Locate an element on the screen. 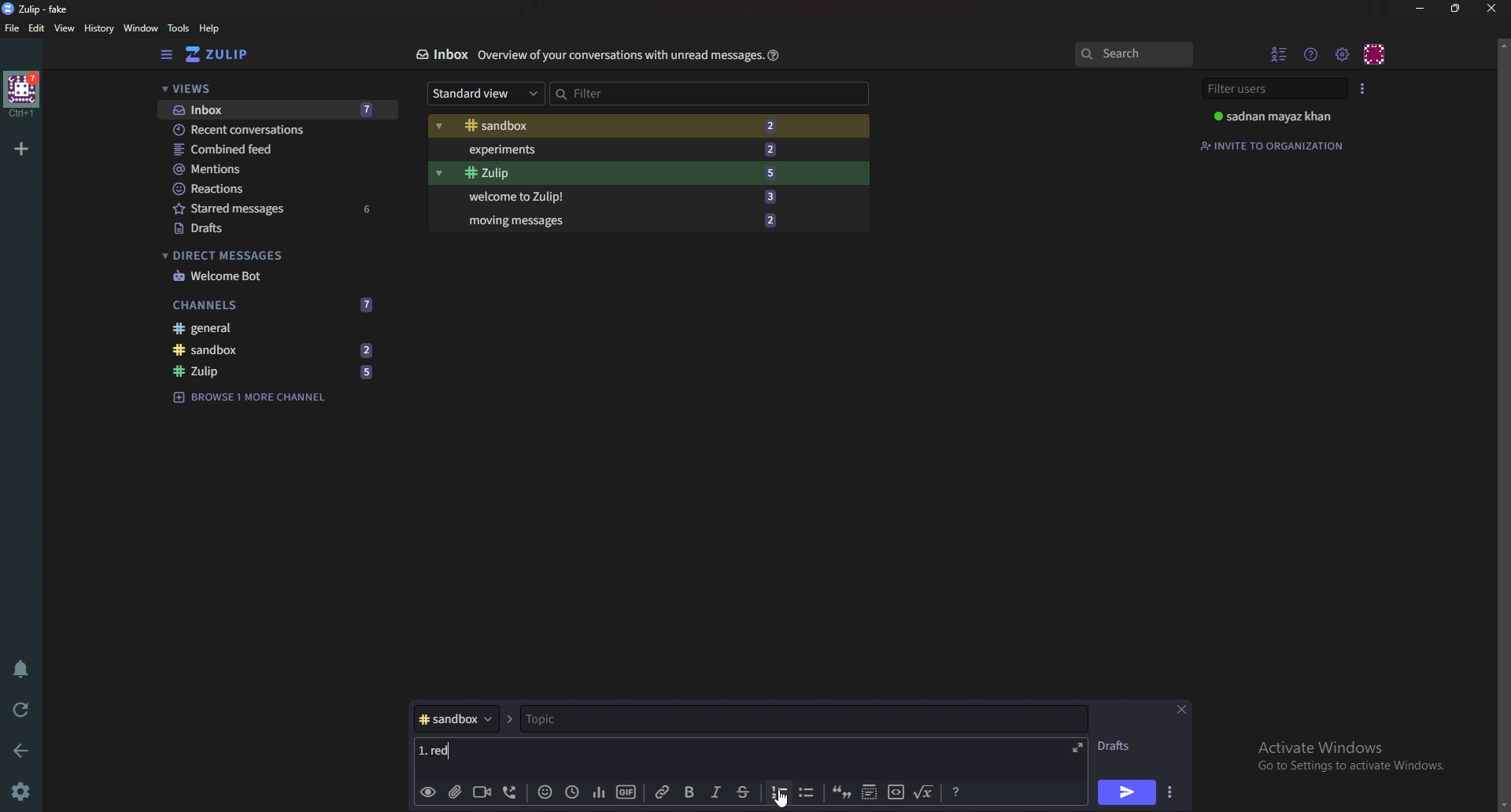 The width and height of the screenshot is (1511, 812). sandbox is located at coordinates (278, 350).